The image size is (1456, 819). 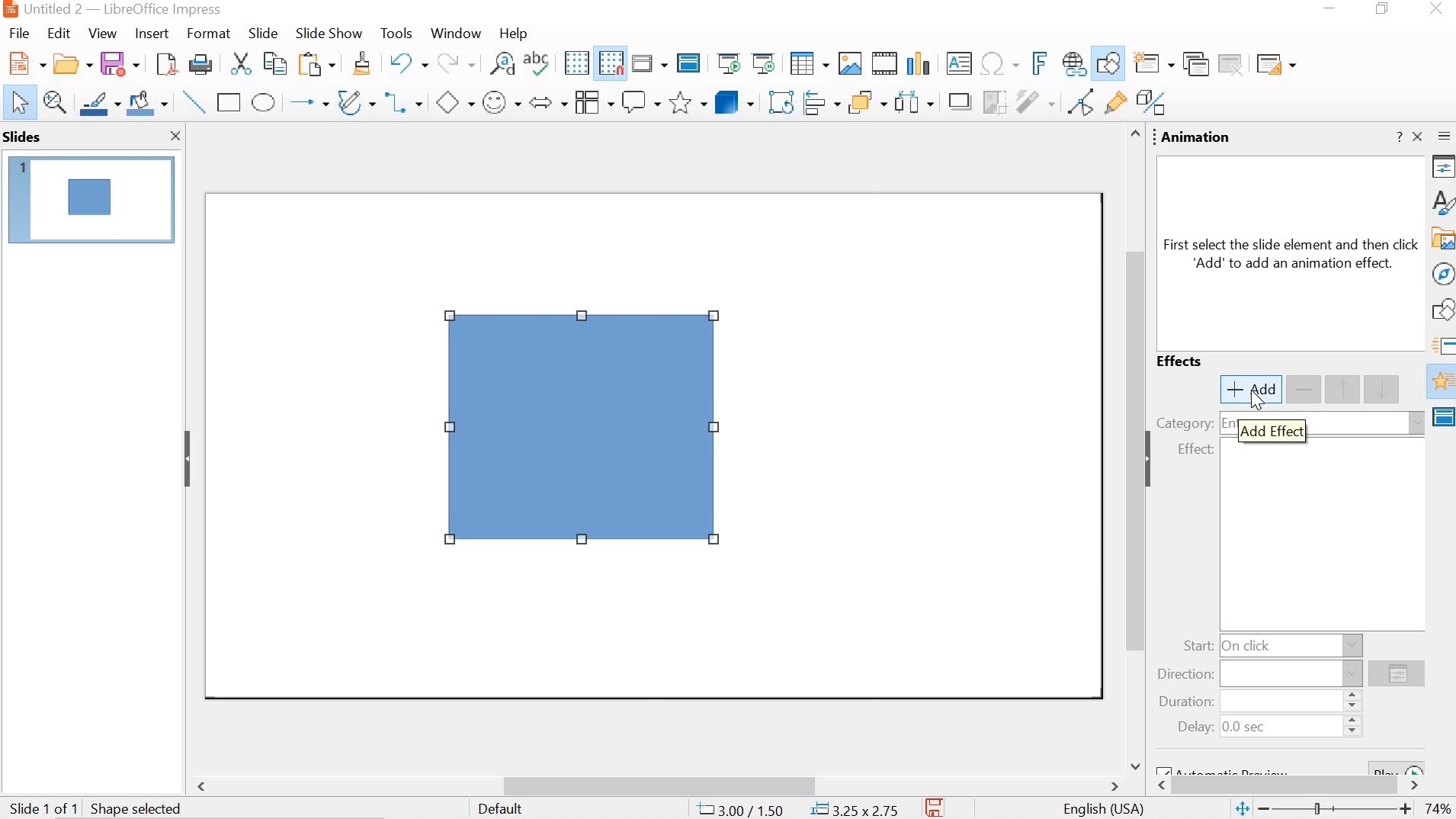 I want to click on lines and arrows, so click(x=306, y=101).